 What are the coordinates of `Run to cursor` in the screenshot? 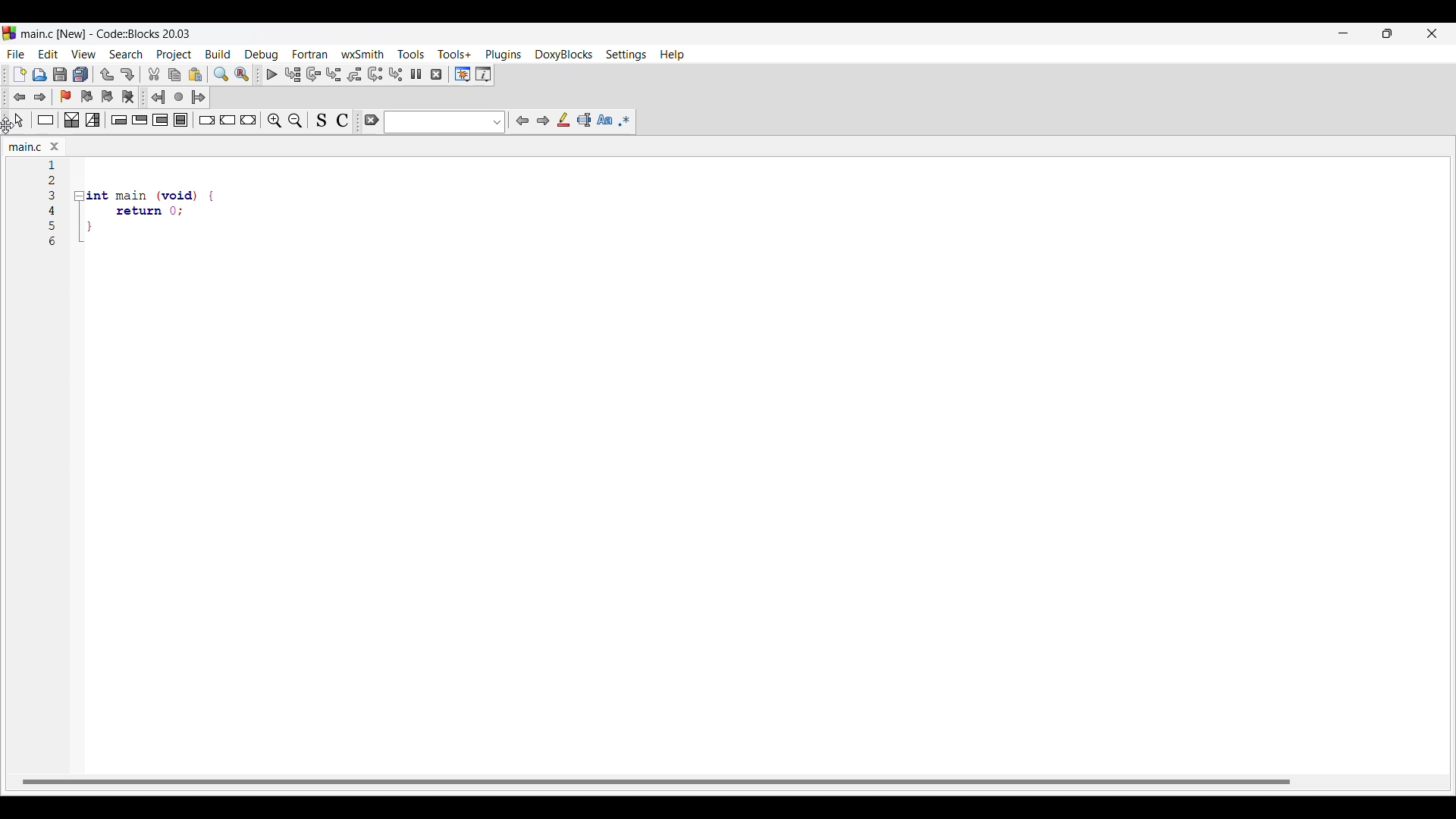 It's located at (293, 75).